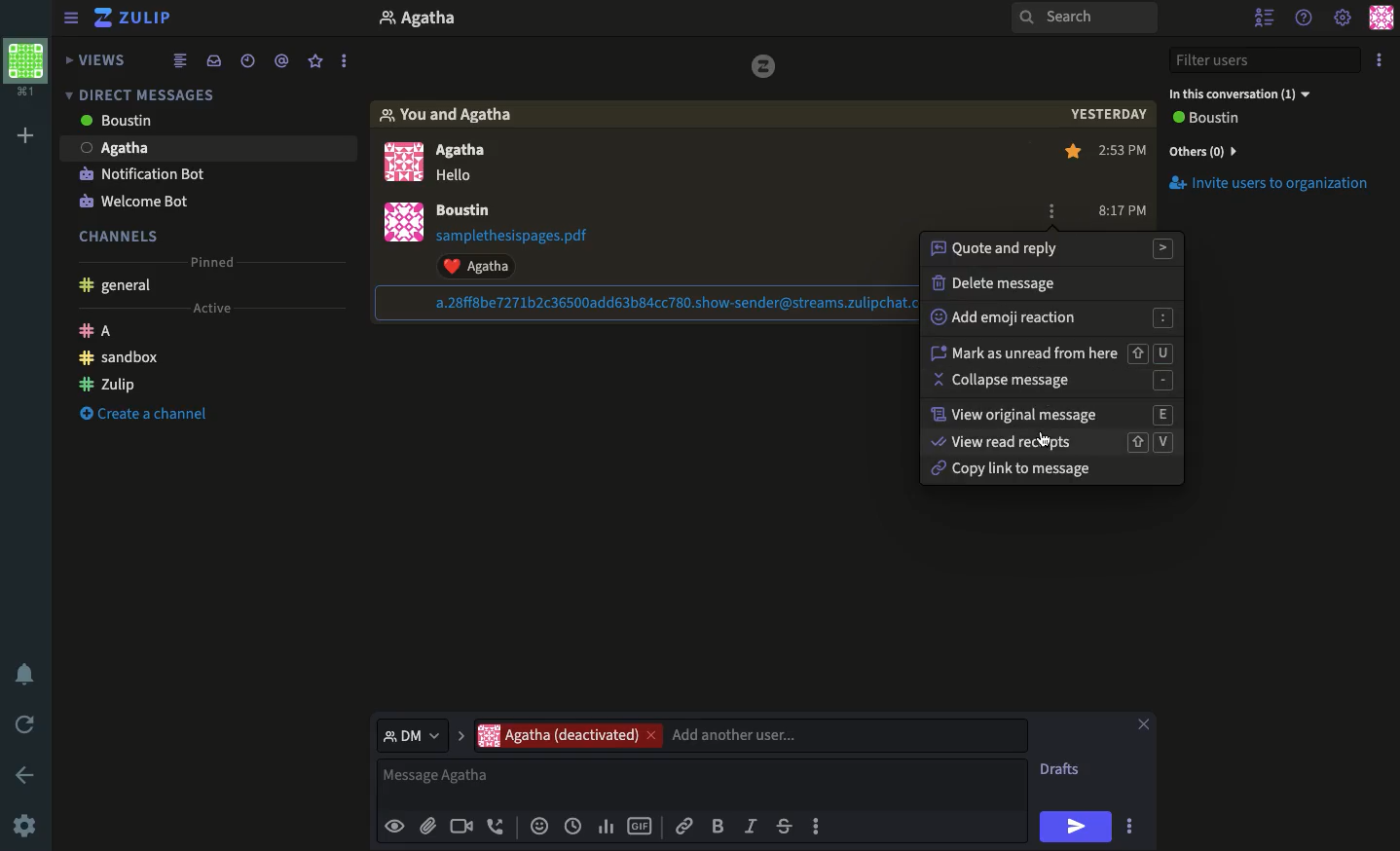  Describe the element at coordinates (1048, 442) in the screenshot. I see `Click view read receipts` at that location.